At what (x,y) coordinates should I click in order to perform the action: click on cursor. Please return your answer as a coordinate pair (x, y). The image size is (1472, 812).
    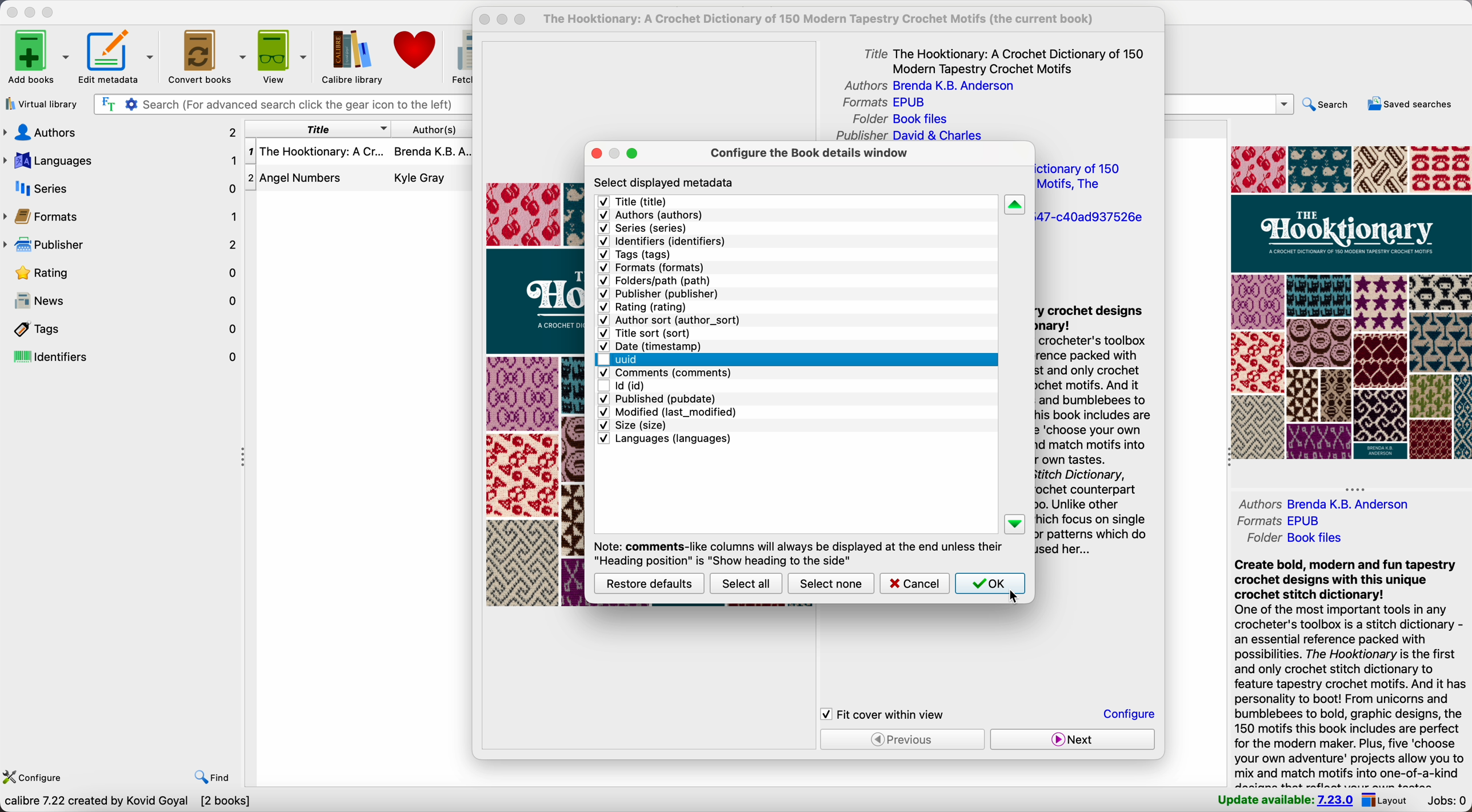
    Looking at the image, I should click on (1014, 598).